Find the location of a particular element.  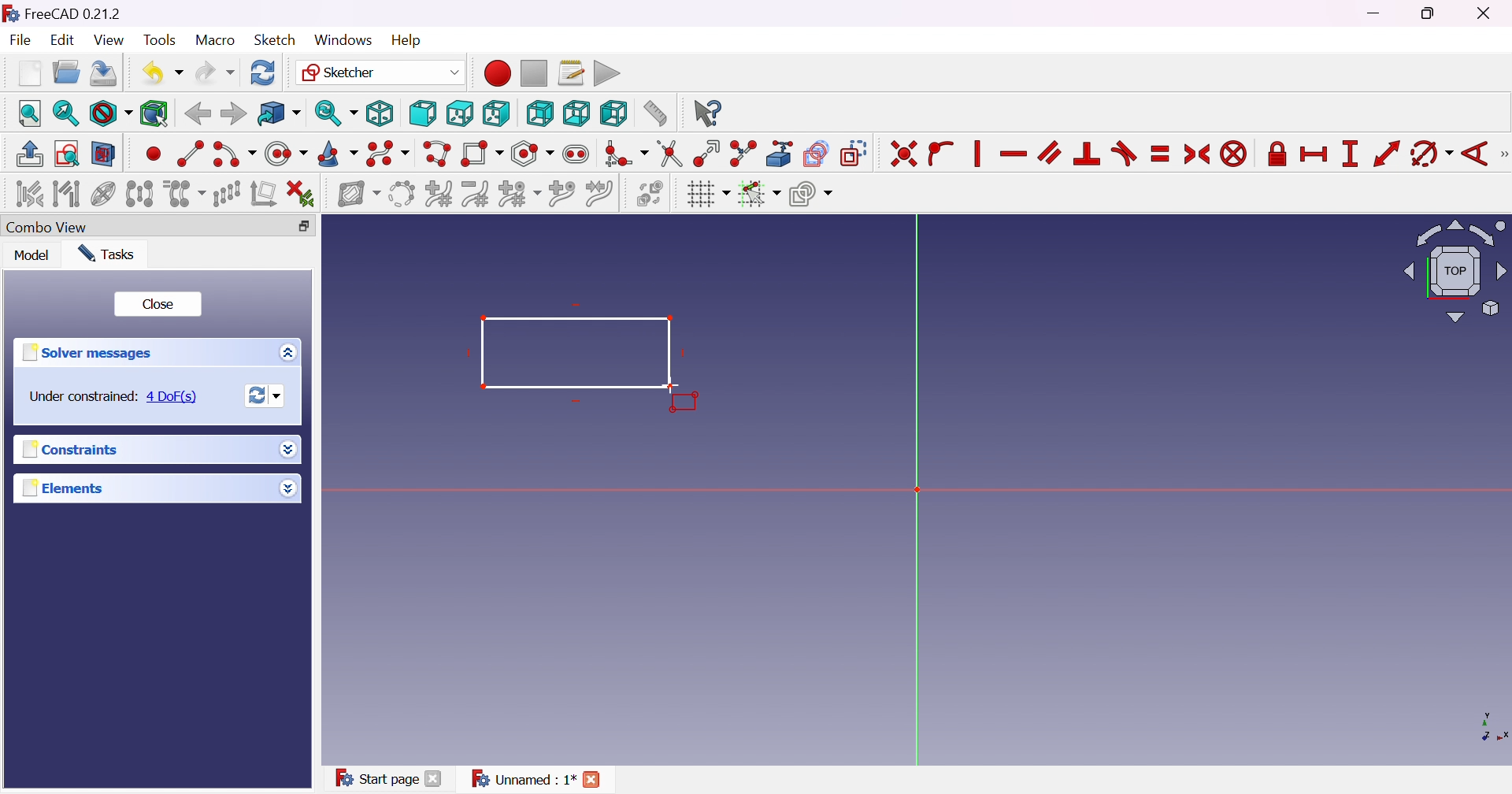

Create regular polygon is located at coordinates (533, 154).